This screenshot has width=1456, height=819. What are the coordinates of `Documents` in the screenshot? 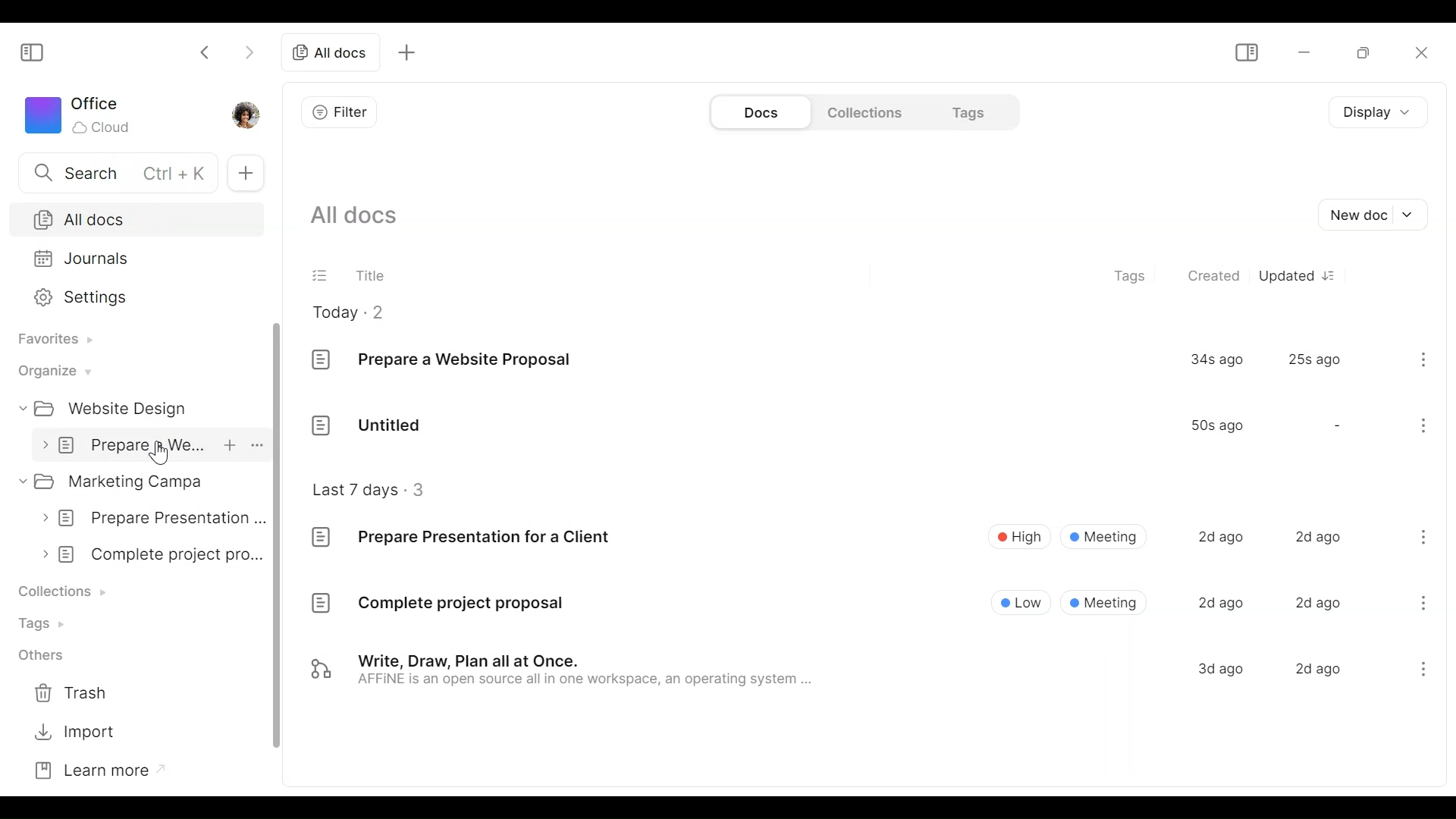 It's located at (758, 111).